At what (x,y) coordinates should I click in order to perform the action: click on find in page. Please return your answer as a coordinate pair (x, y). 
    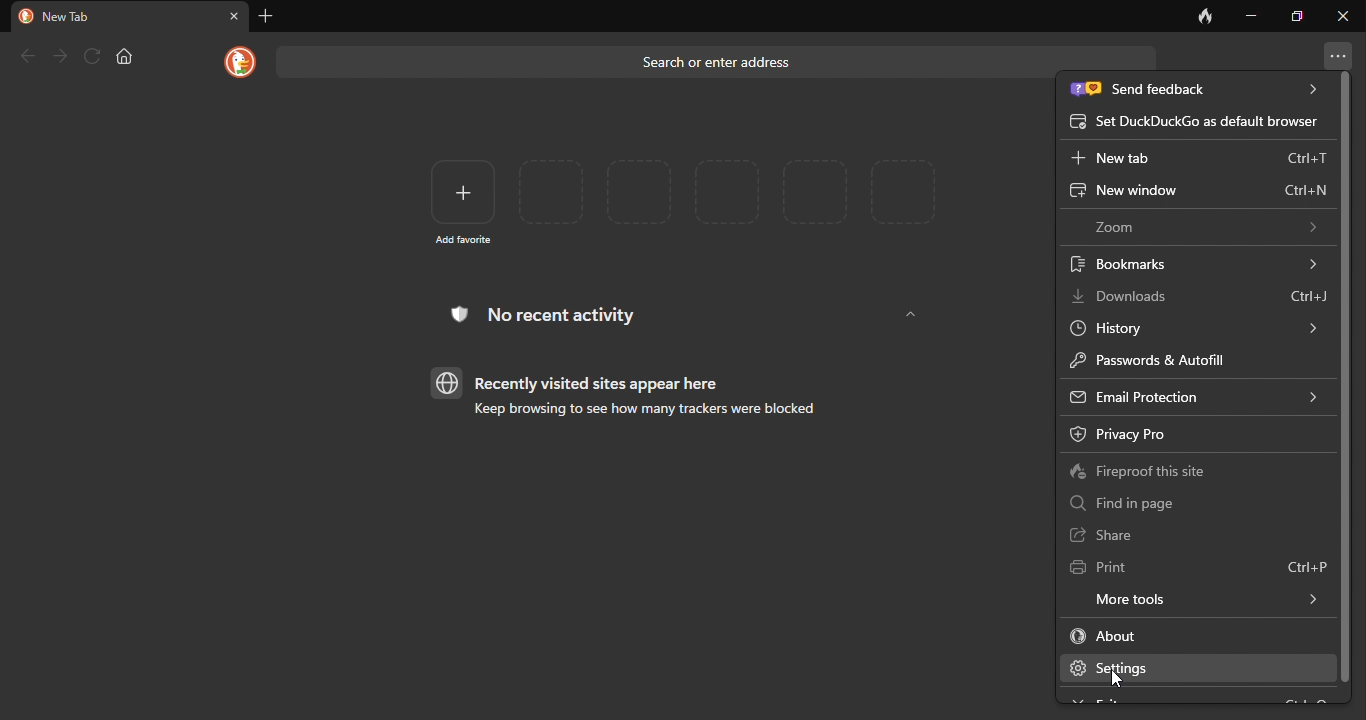
    Looking at the image, I should click on (1133, 502).